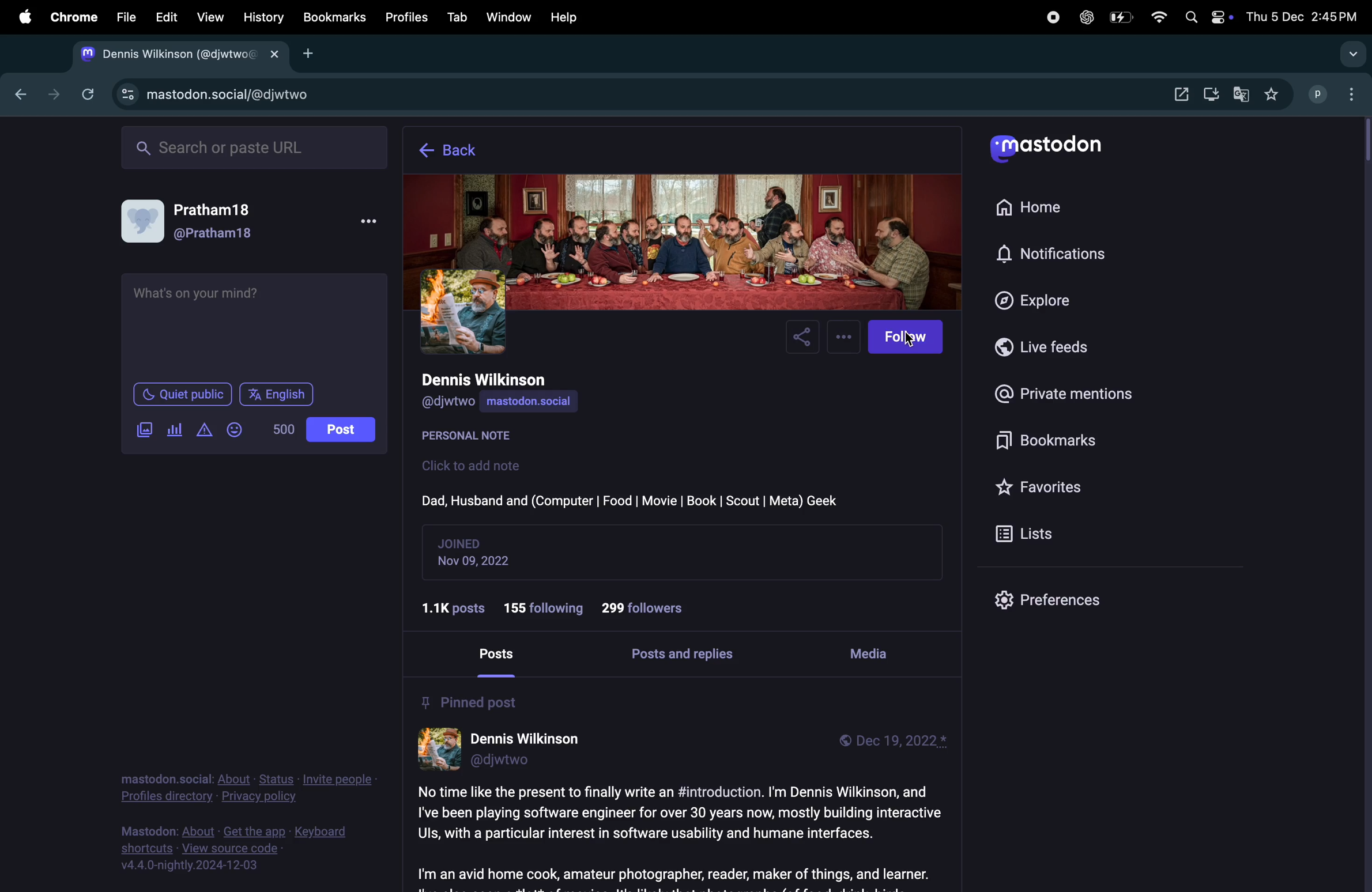 The height and width of the screenshot is (892, 1372). I want to click on private mentions, so click(1069, 396).